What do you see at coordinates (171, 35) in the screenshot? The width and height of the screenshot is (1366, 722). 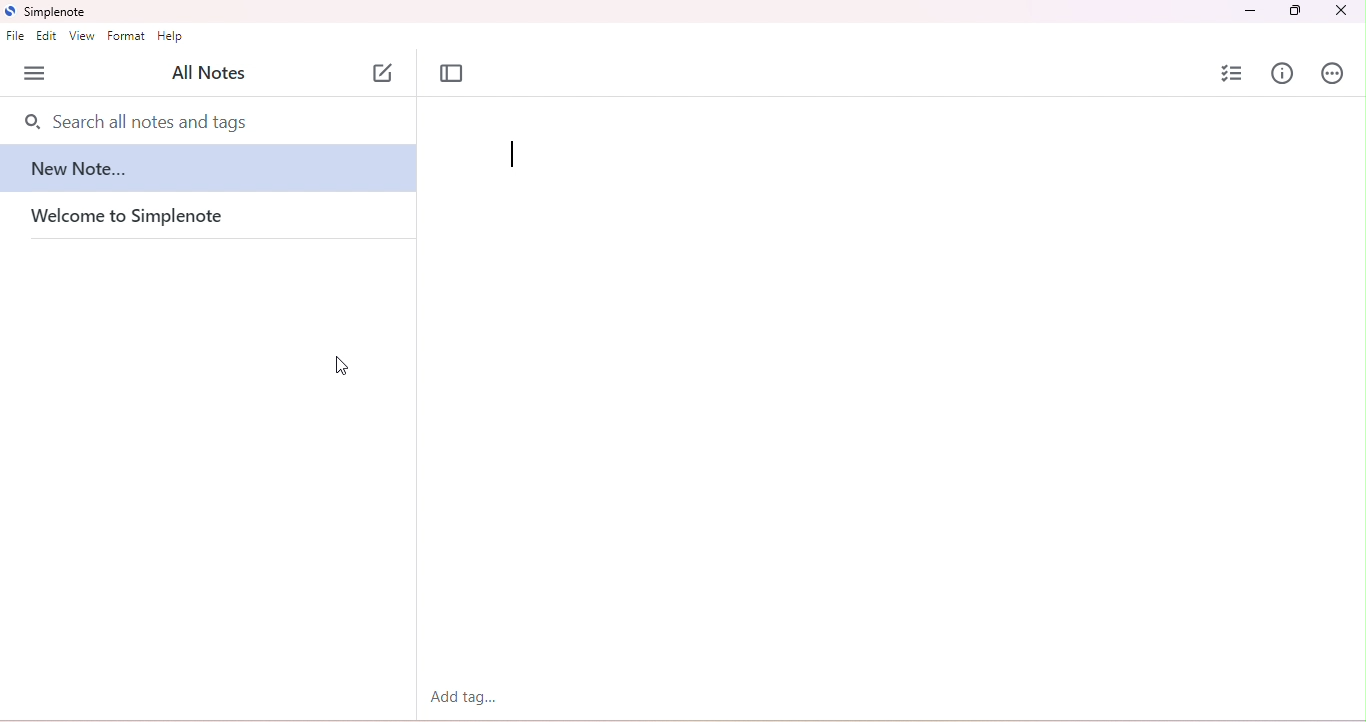 I see `help` at bounding box center [171, 35].